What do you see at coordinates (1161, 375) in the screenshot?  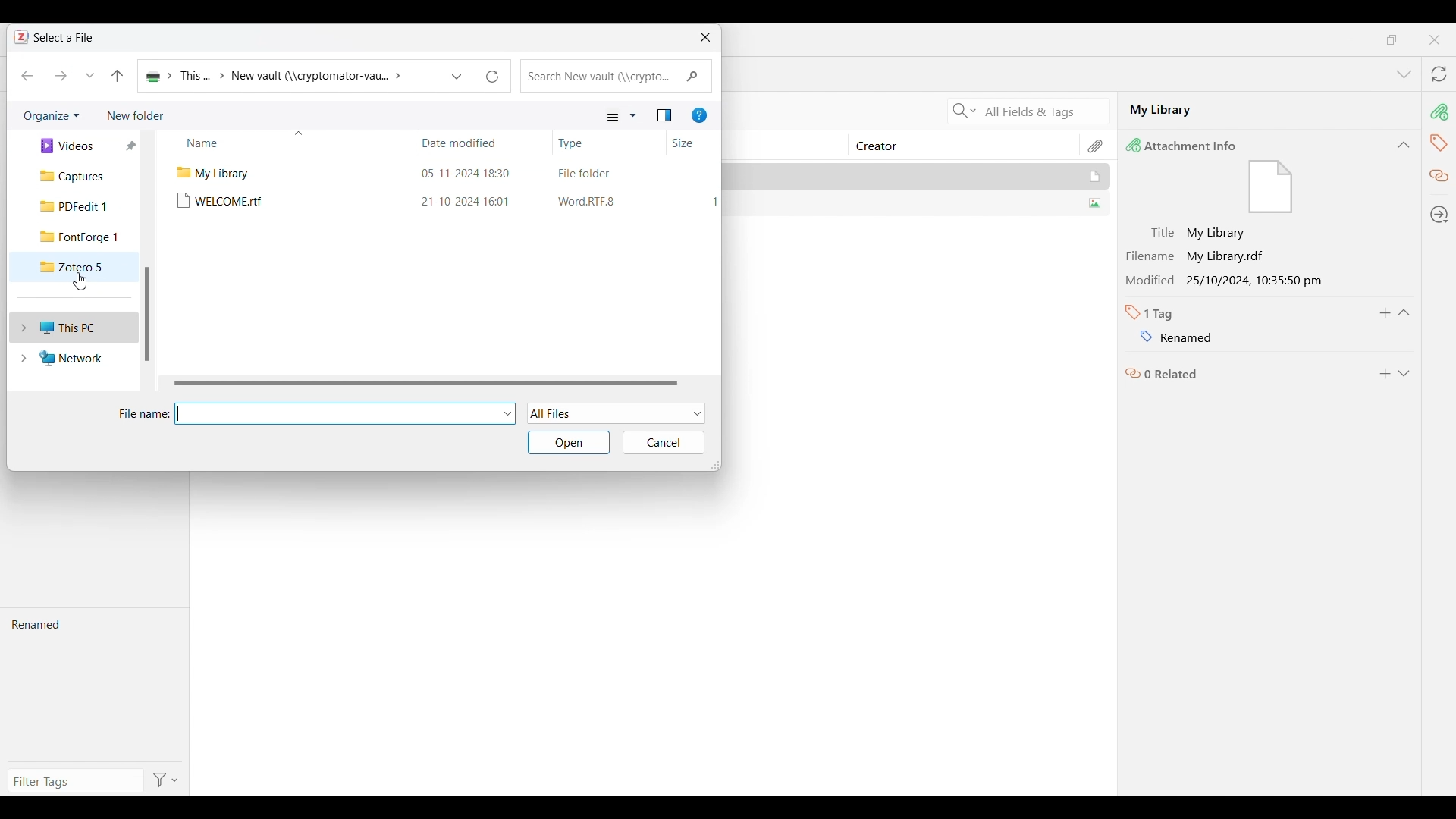 I see `Related` at bounding box center [1161, 375].